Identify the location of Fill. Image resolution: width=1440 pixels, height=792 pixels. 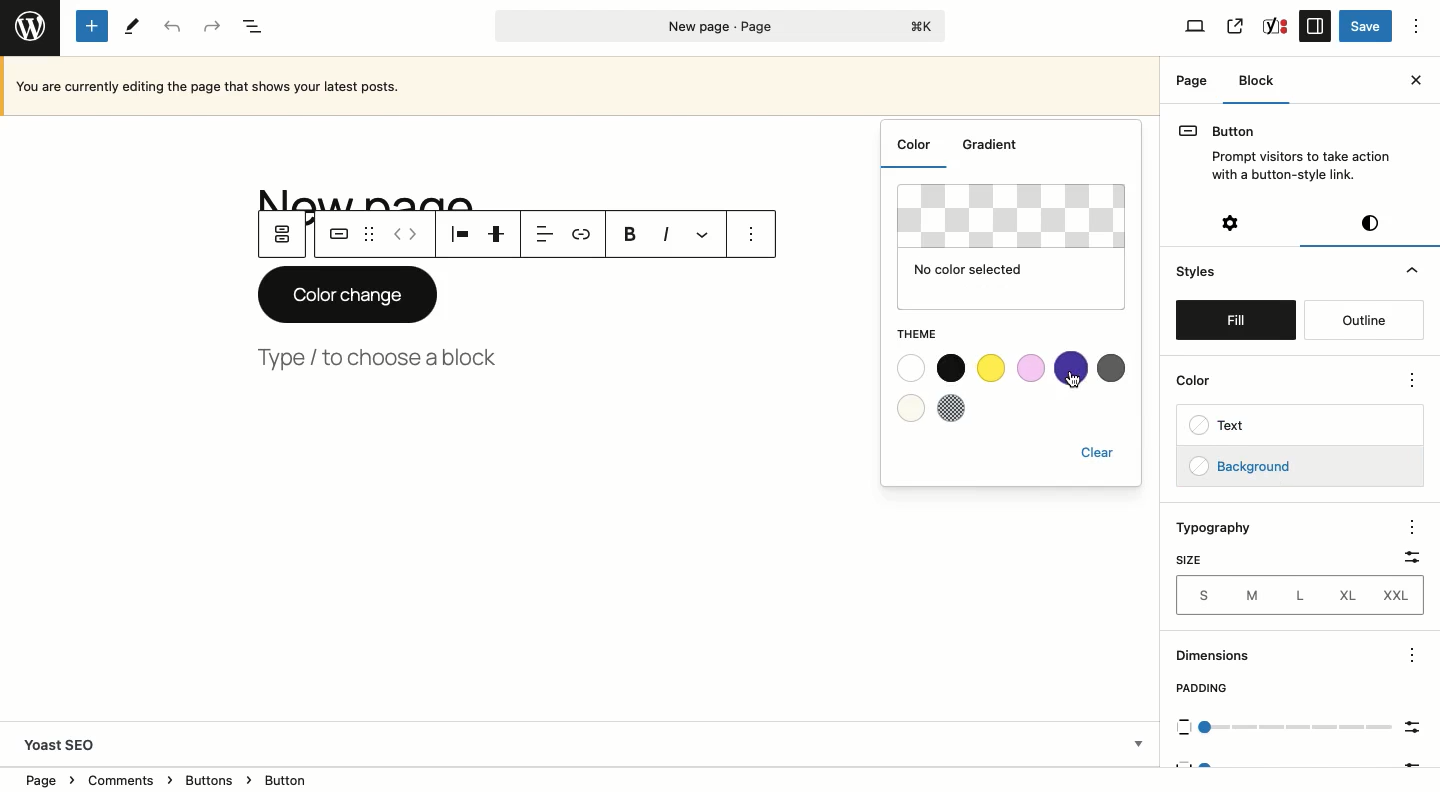
(1236, 320).